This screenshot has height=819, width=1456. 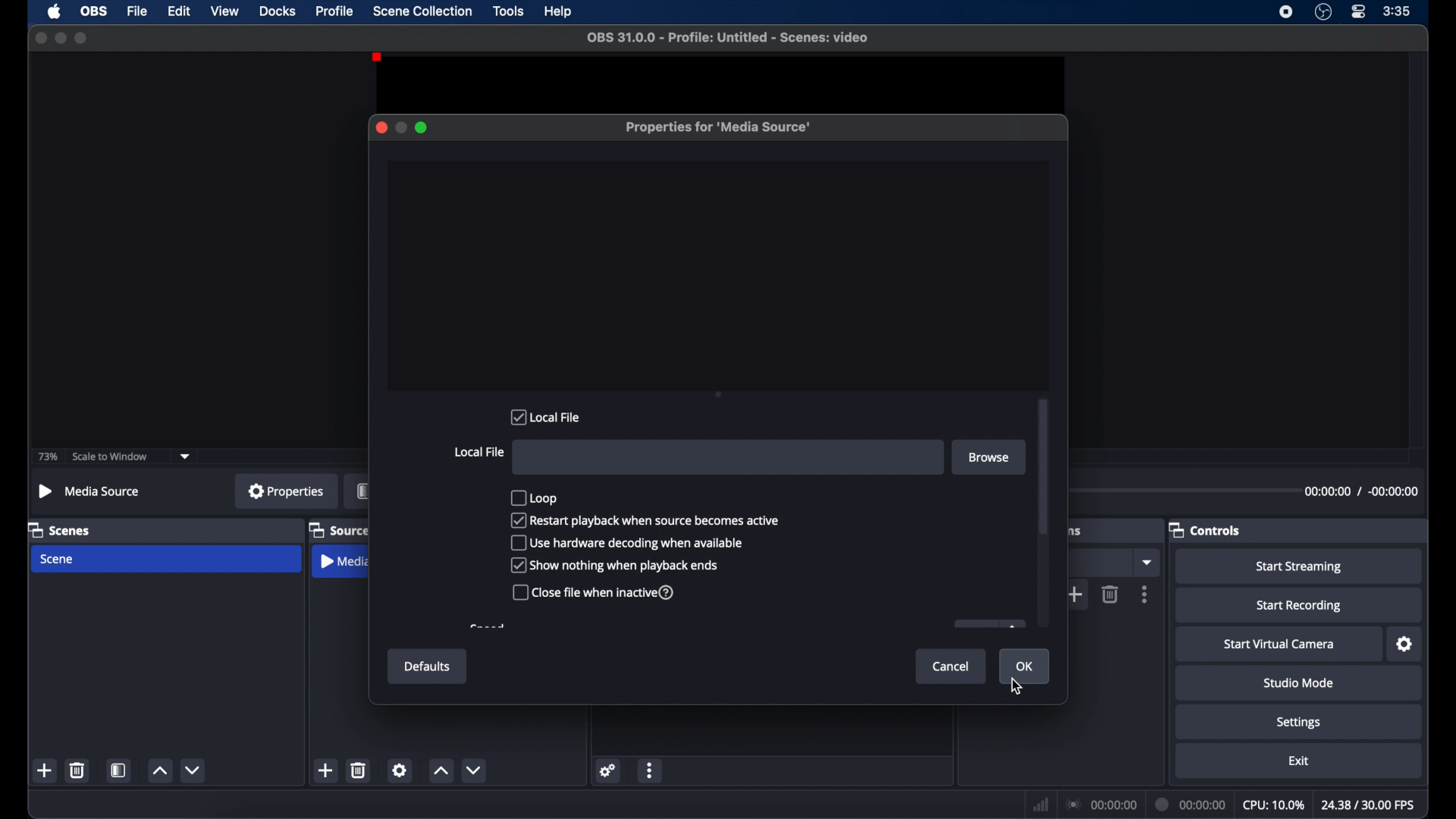 I want to click on cancel, so click(x=952, y=667).